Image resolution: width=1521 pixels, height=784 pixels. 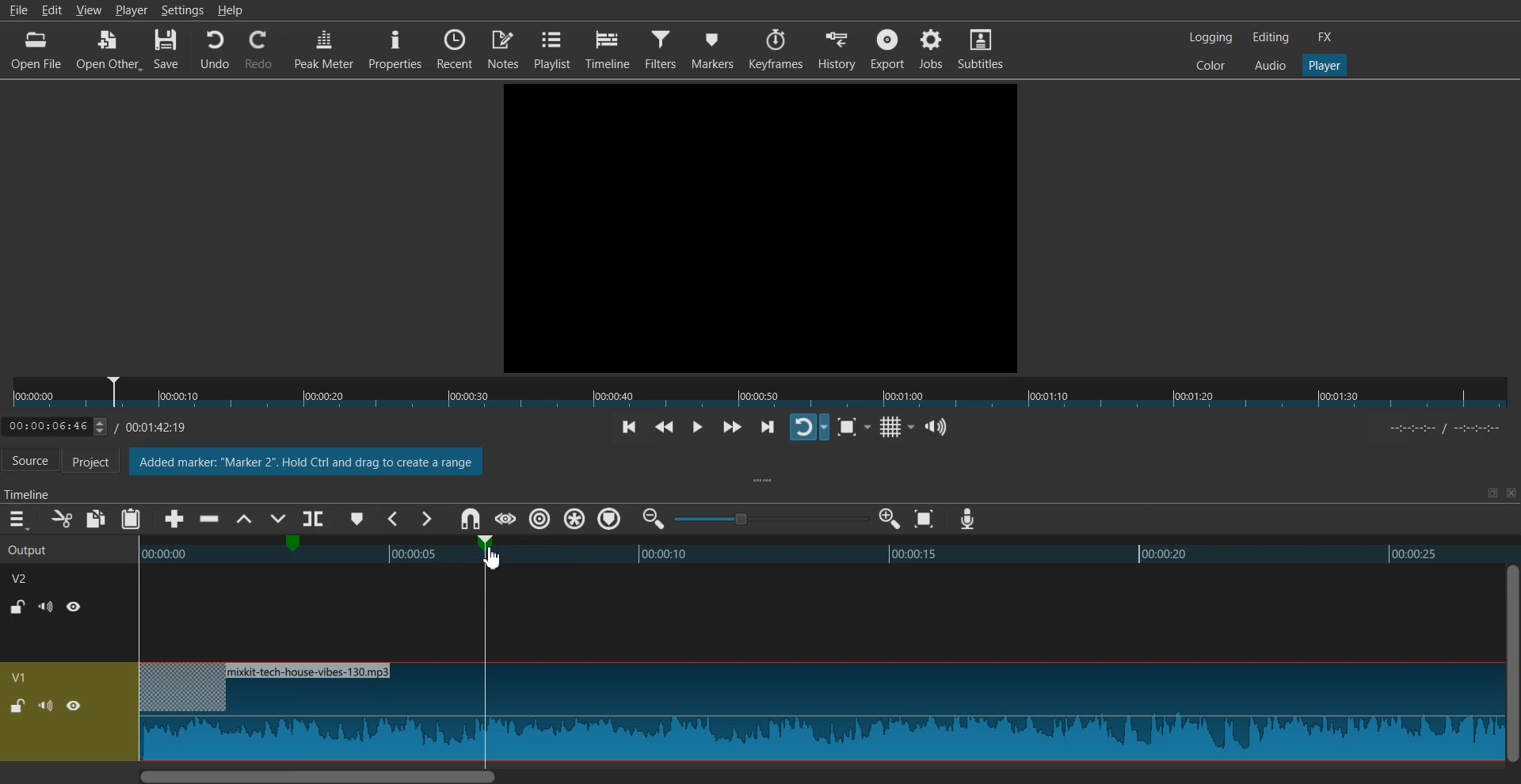 I want to click on Skip to previous point, so click(x=629, y=428).